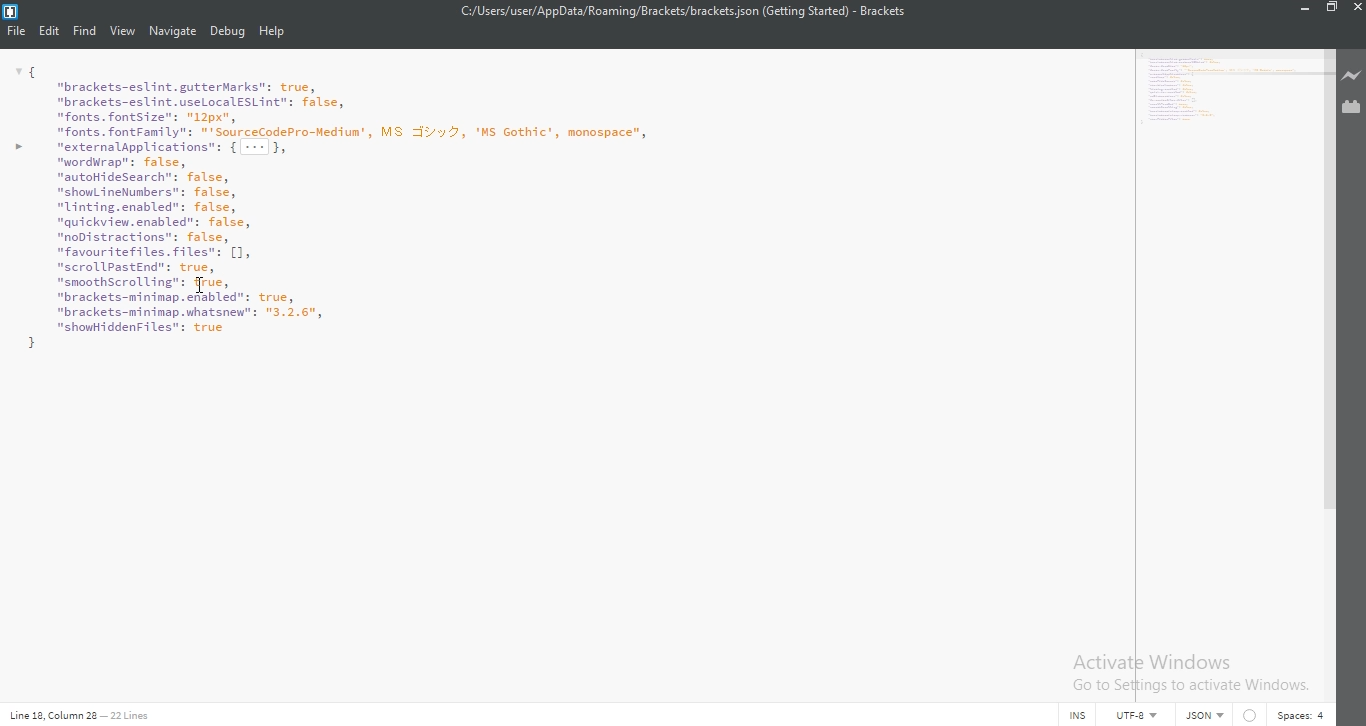 This screenshot has width=1366, height=726. I want to click on Restore, so click(1330, 8).